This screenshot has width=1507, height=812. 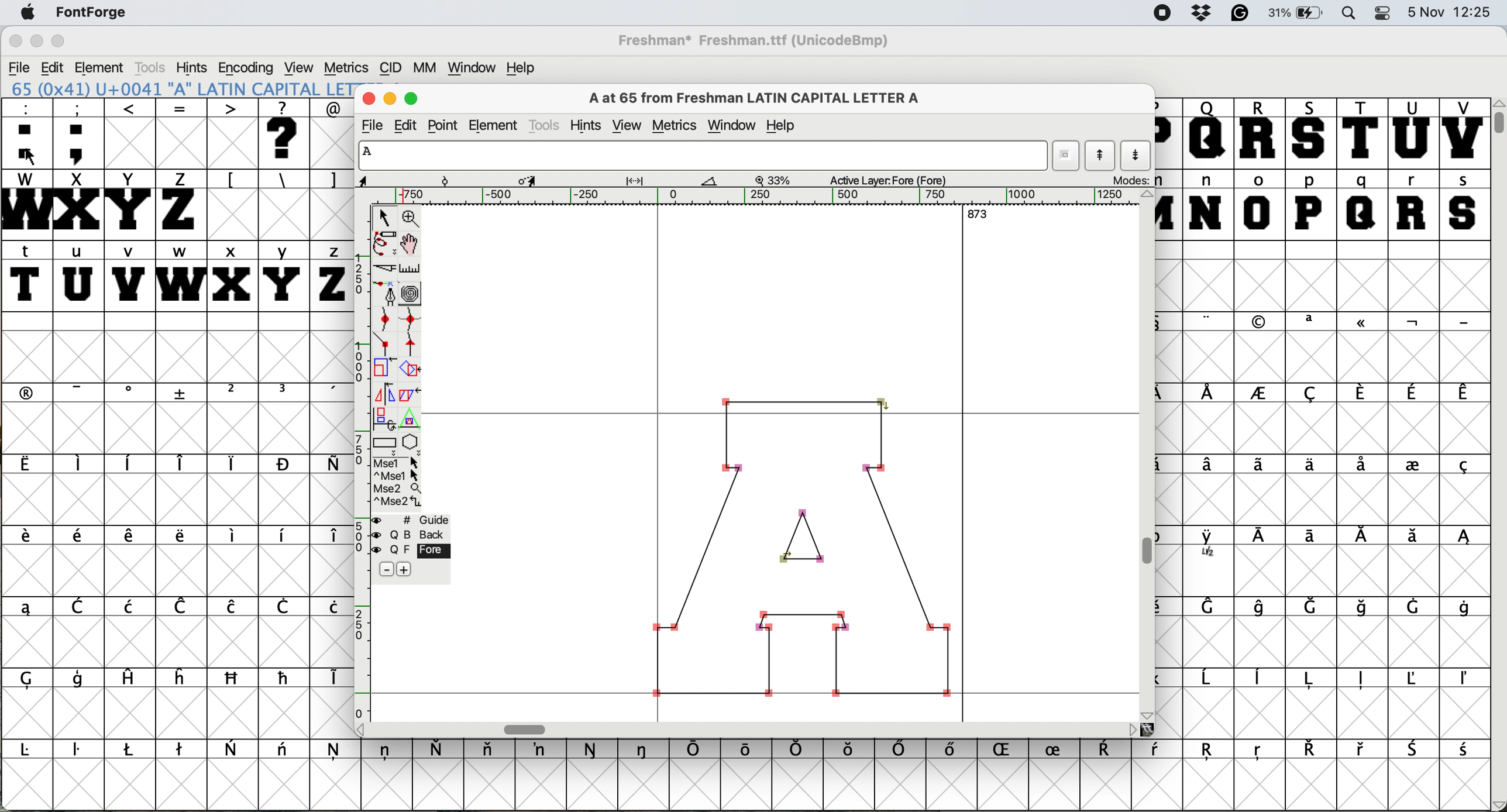 What do you see at coordinates (586, 125) in the screenshot?
I see `hints` at bounding box center [586, 125].